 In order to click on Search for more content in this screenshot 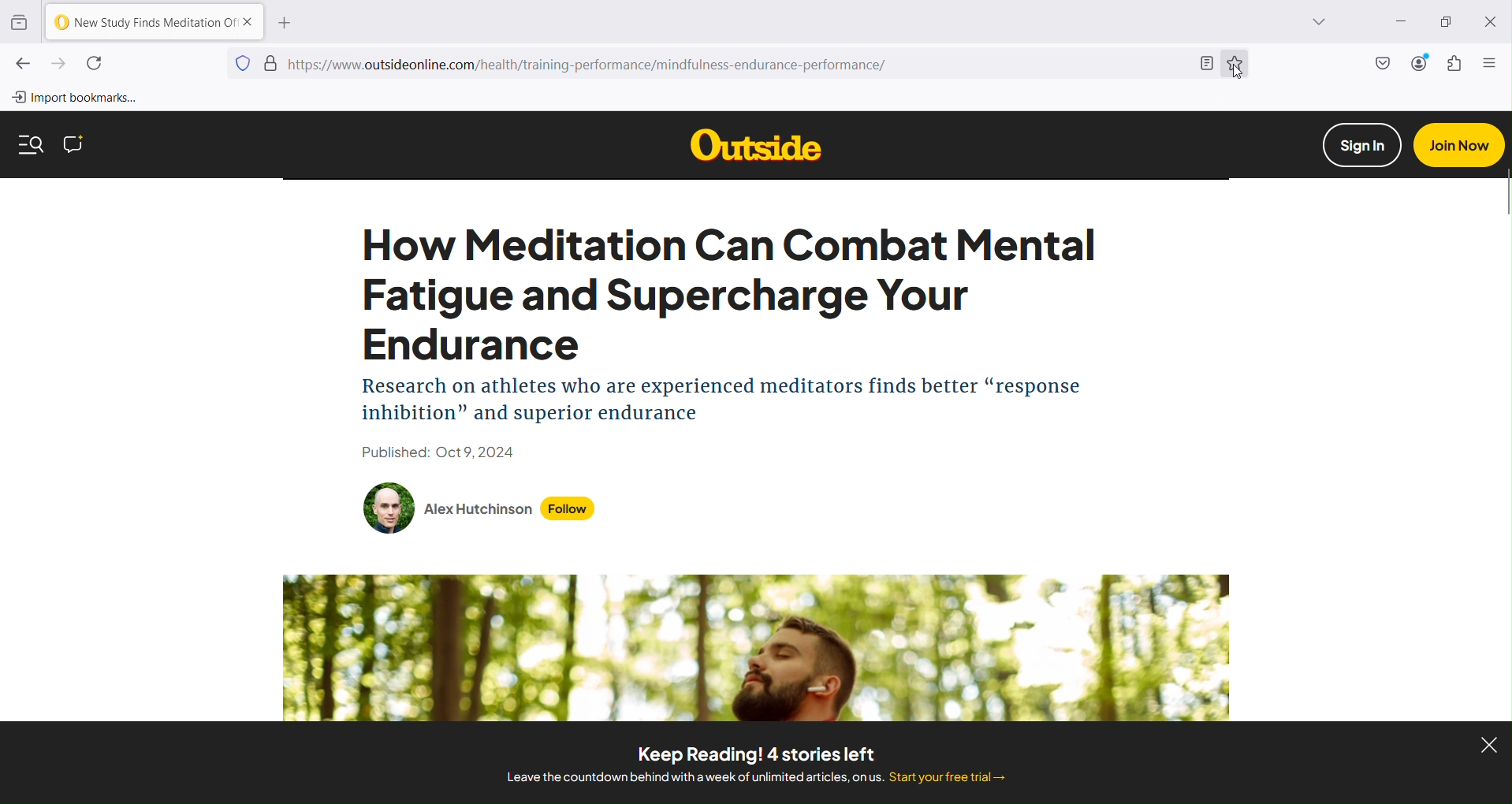, I will do `click(32, 144)`.